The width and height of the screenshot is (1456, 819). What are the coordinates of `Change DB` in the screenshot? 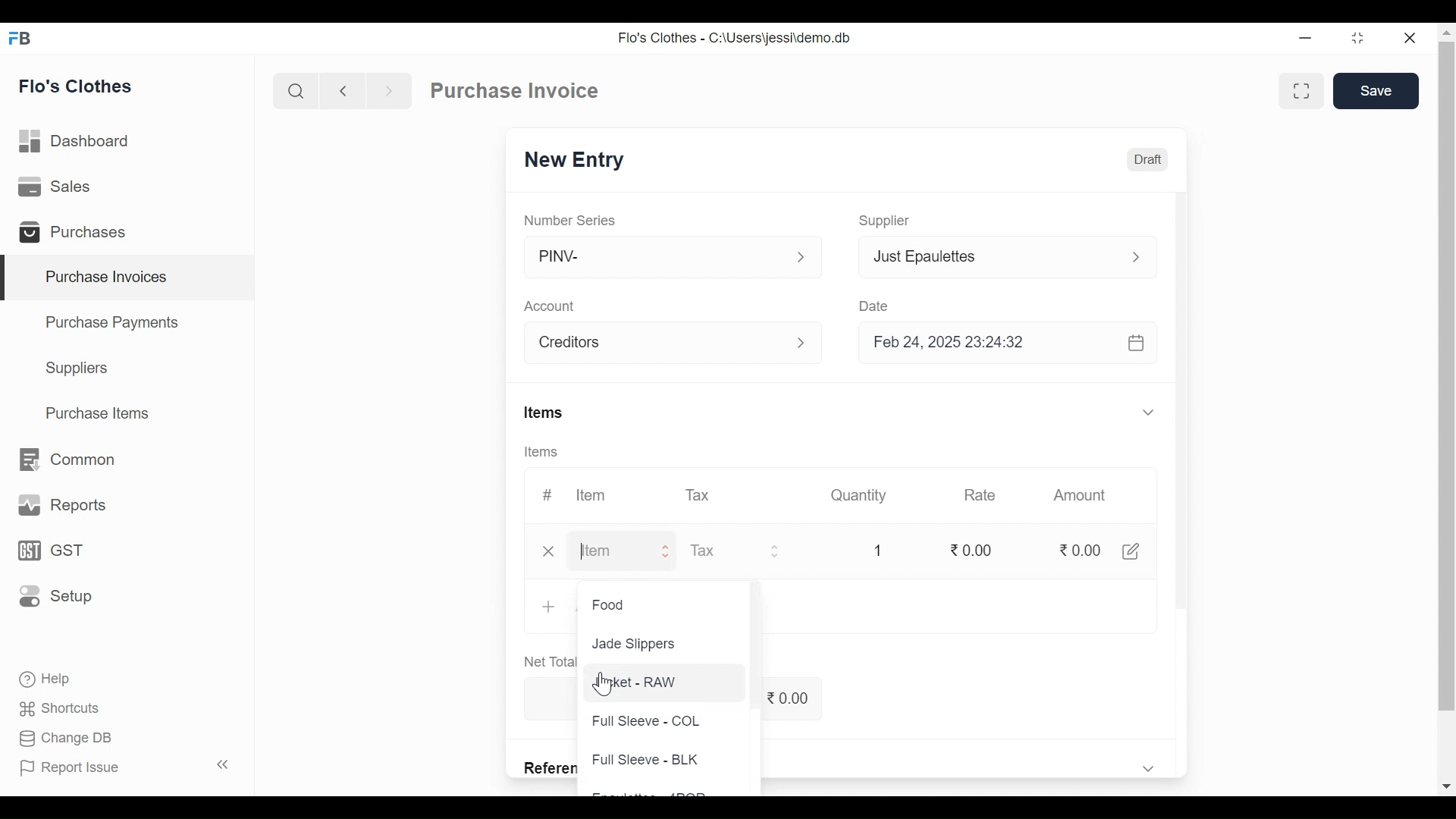 It's located at (67, 738).